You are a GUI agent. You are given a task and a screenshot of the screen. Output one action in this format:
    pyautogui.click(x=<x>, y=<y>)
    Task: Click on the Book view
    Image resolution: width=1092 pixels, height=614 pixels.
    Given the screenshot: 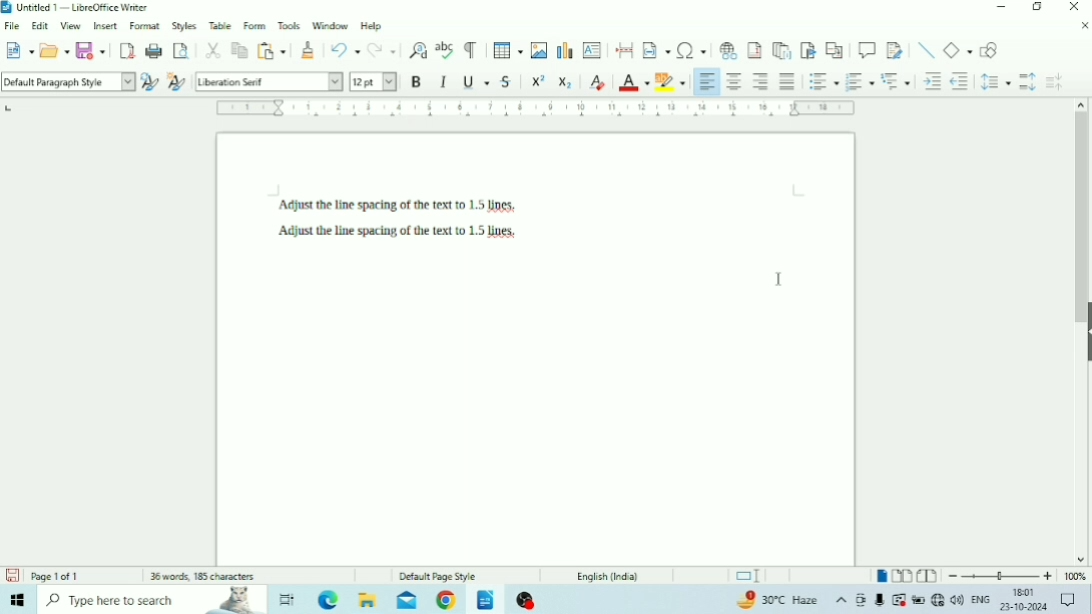 What is the action you would take?
    pyautogui.click(x=926, y=575)
    